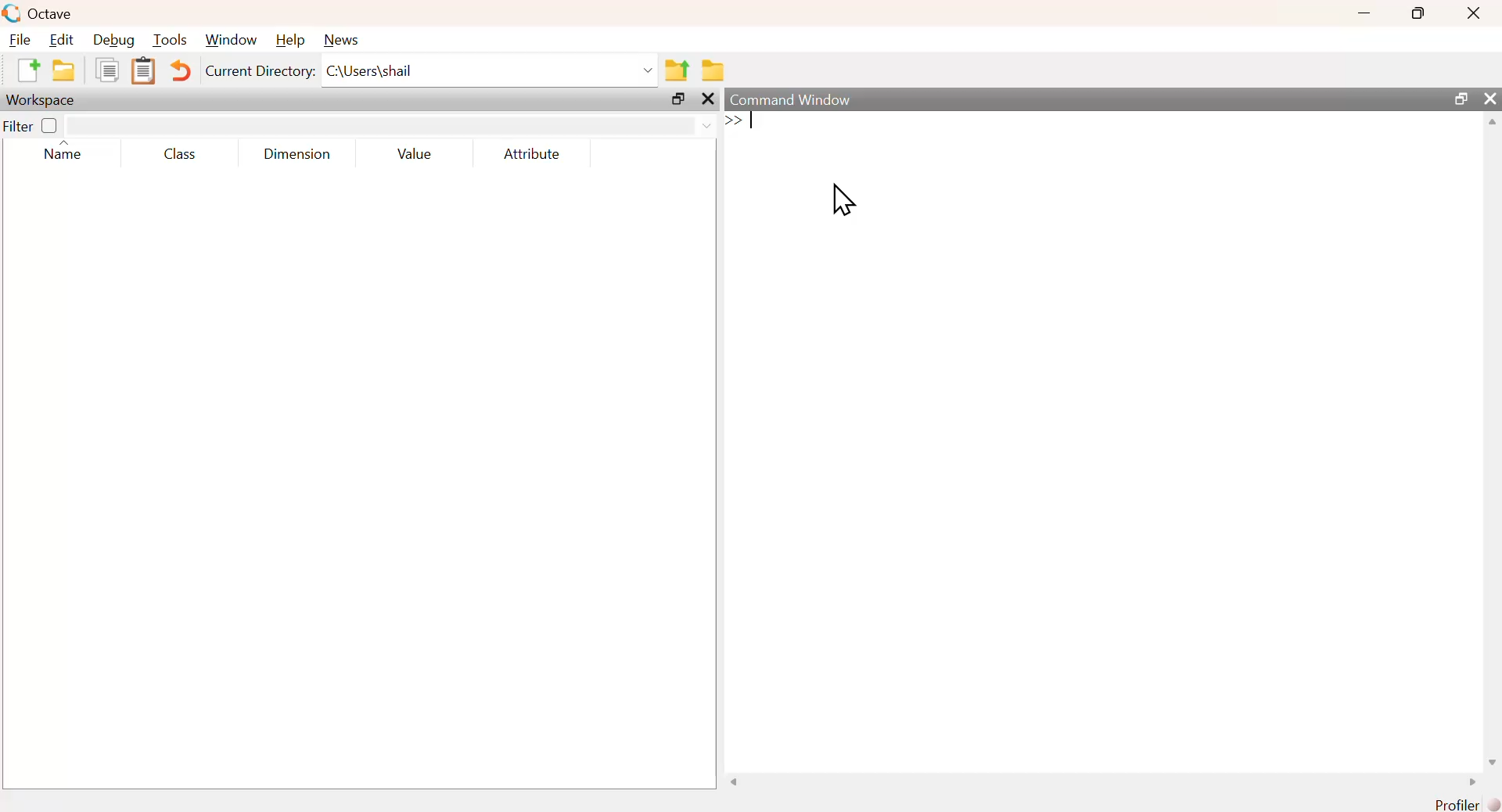 Image resolution: width=1502 pixels, height=812 pixels. Describe the element at coordinates (414, 154) in the screenshot. I see `value` at that location.